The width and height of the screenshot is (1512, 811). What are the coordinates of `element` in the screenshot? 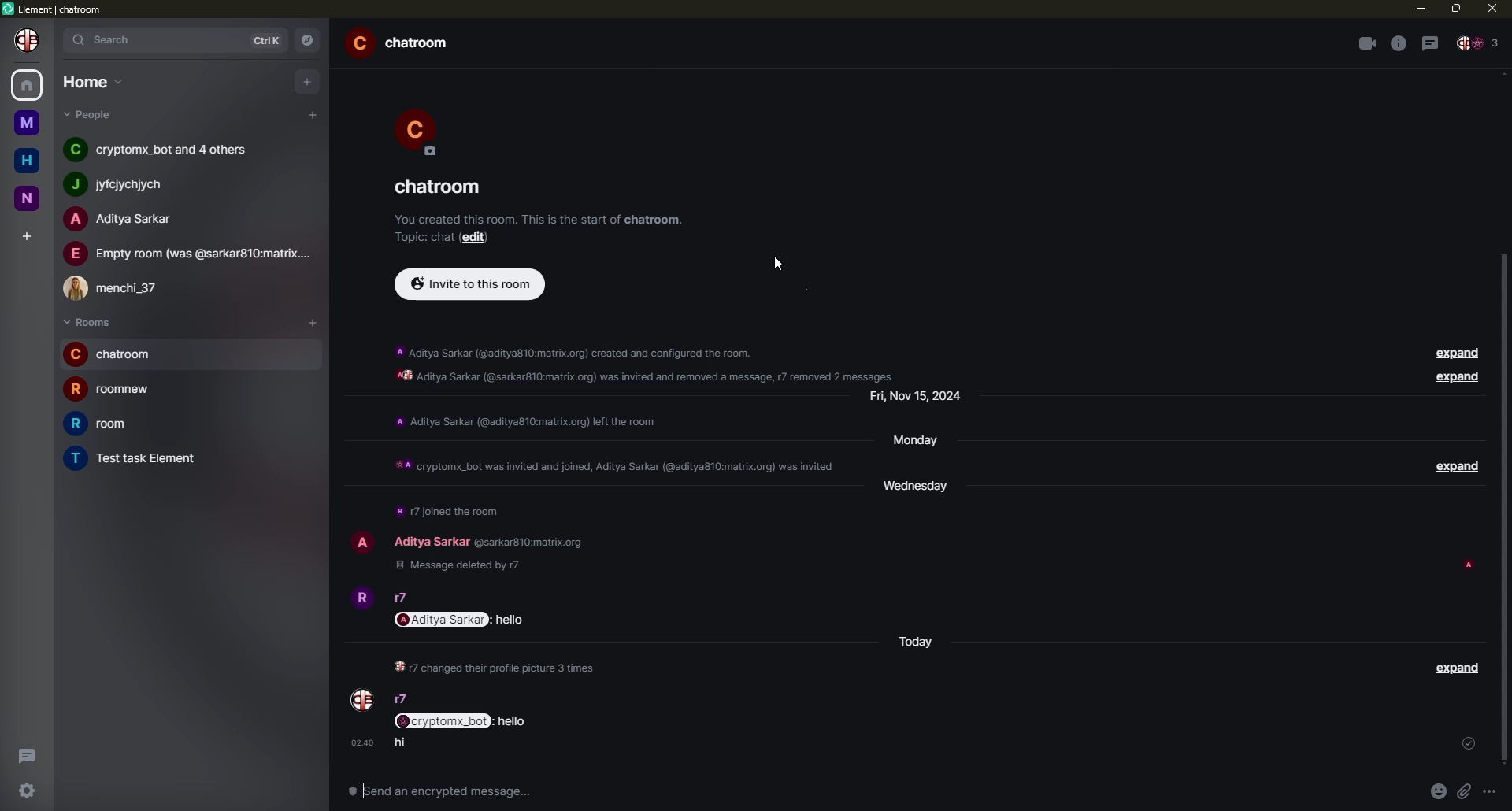 It's located at (55, 8).